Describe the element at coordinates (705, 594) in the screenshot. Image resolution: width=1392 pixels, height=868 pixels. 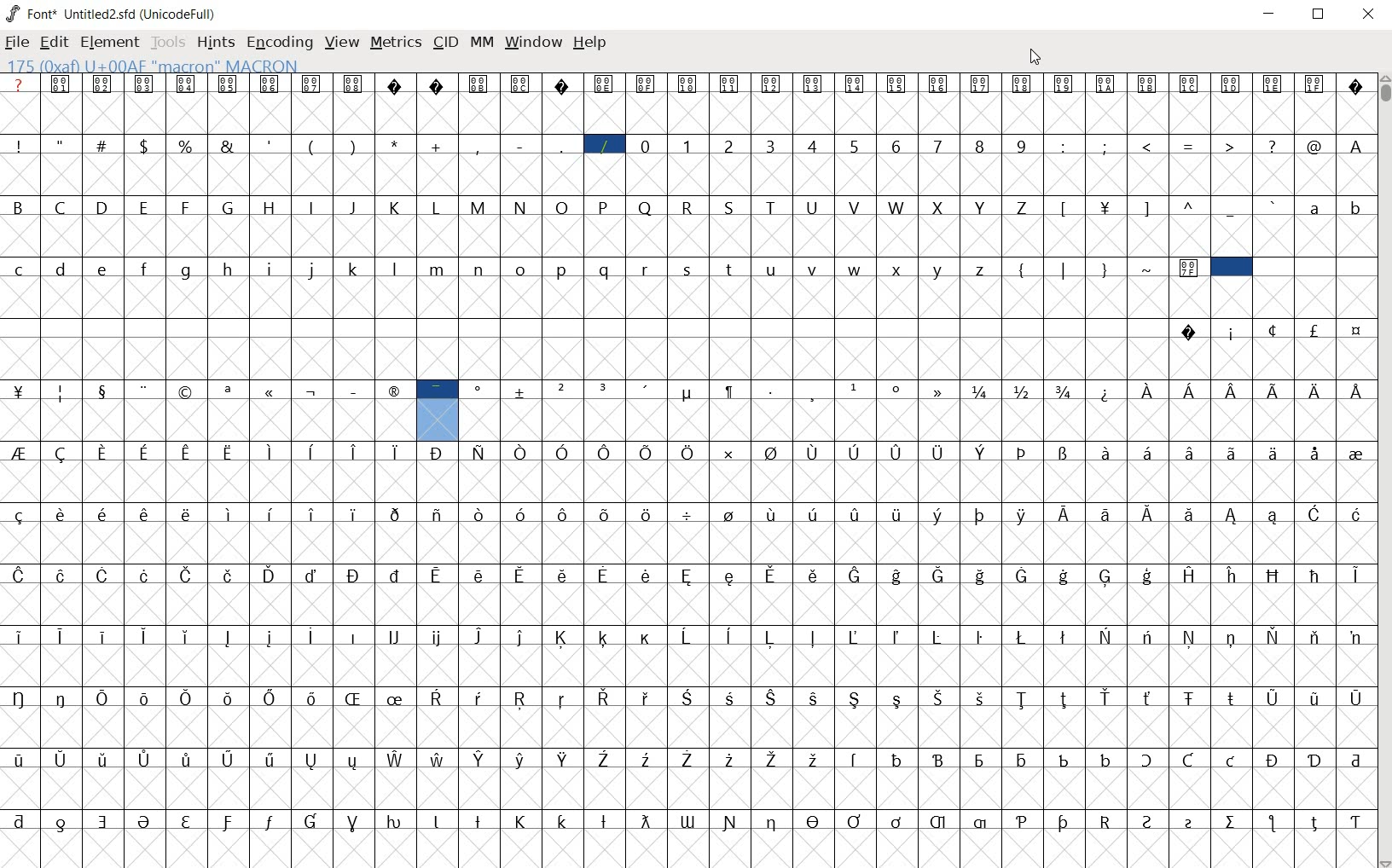
I see `accented characters` at that location.